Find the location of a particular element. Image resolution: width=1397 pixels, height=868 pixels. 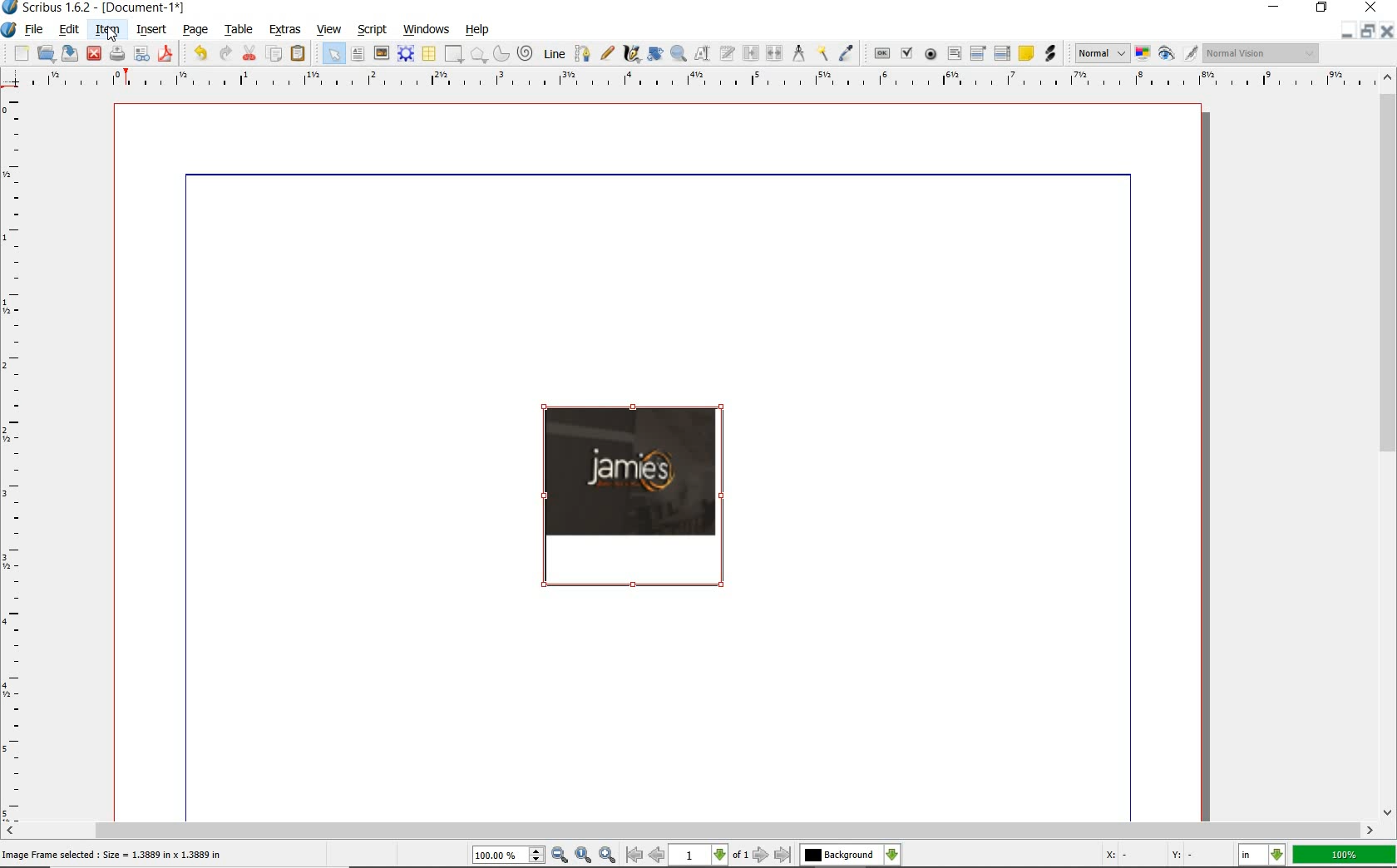

Zoom 100.00% is located at coordinates (508, 856).